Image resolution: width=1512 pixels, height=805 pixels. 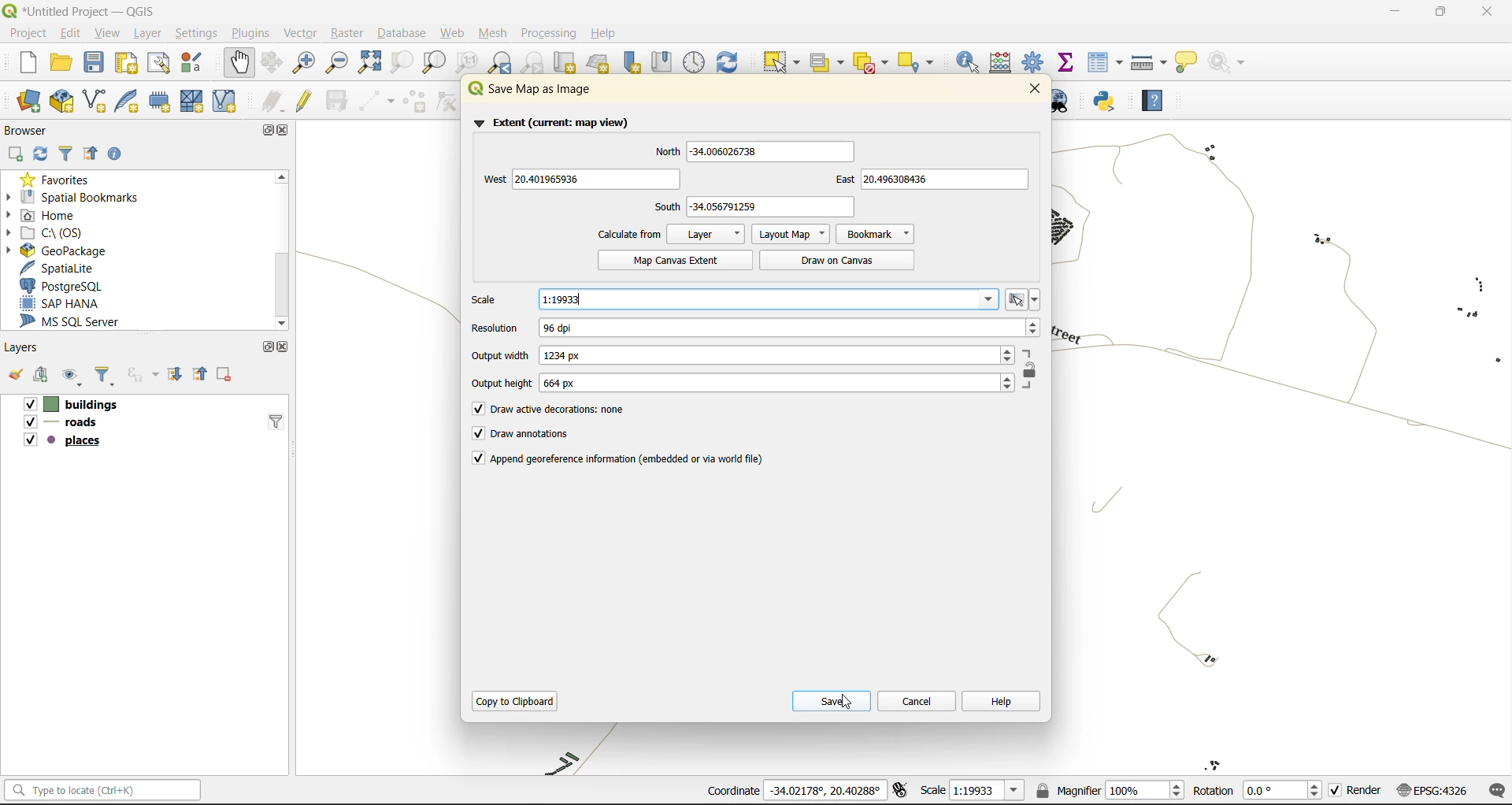 I want to click on toggle extents, so click(x=899, y=791).